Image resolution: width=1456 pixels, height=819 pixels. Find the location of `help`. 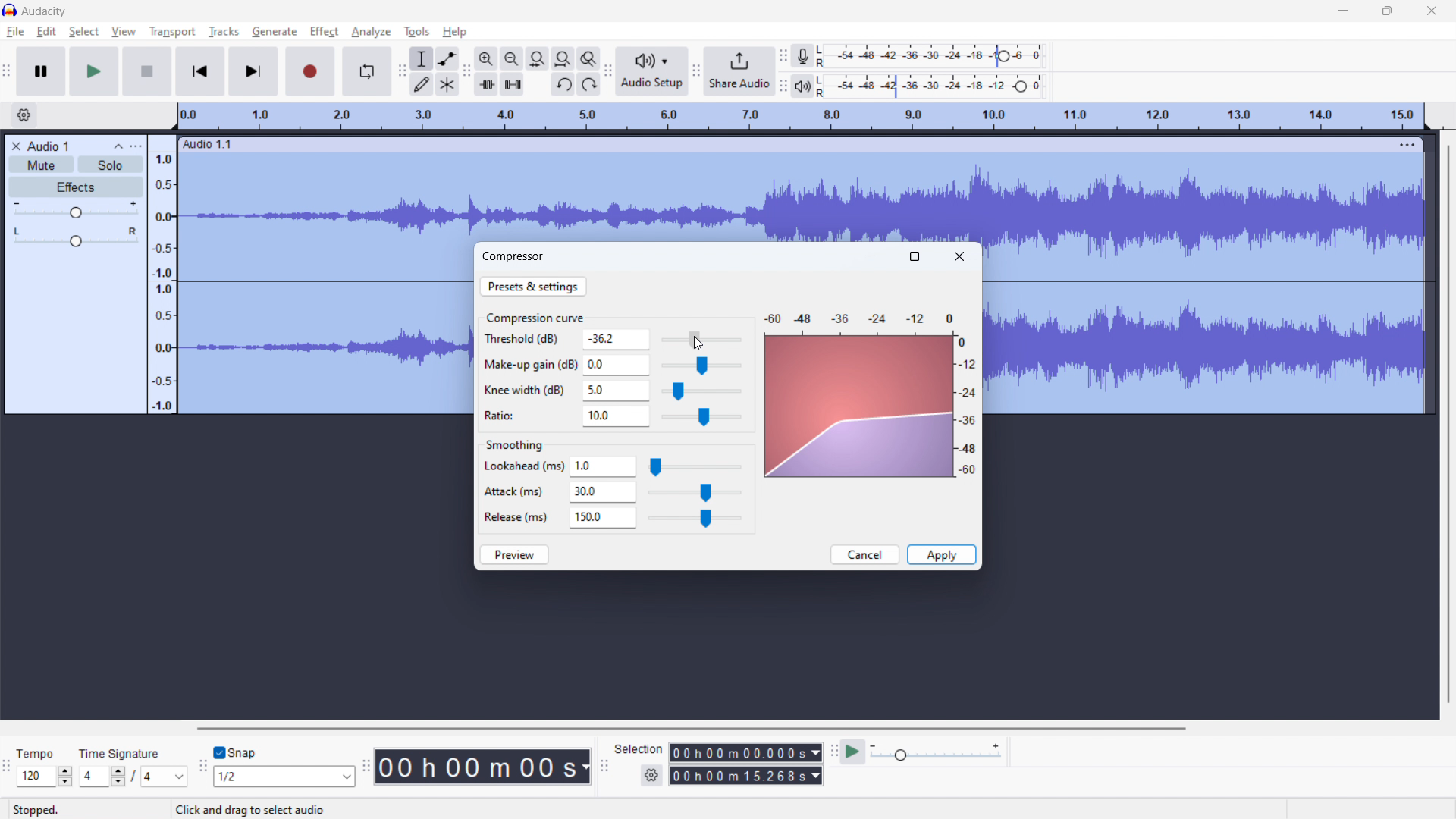

help is located at coordinates (455, 32).